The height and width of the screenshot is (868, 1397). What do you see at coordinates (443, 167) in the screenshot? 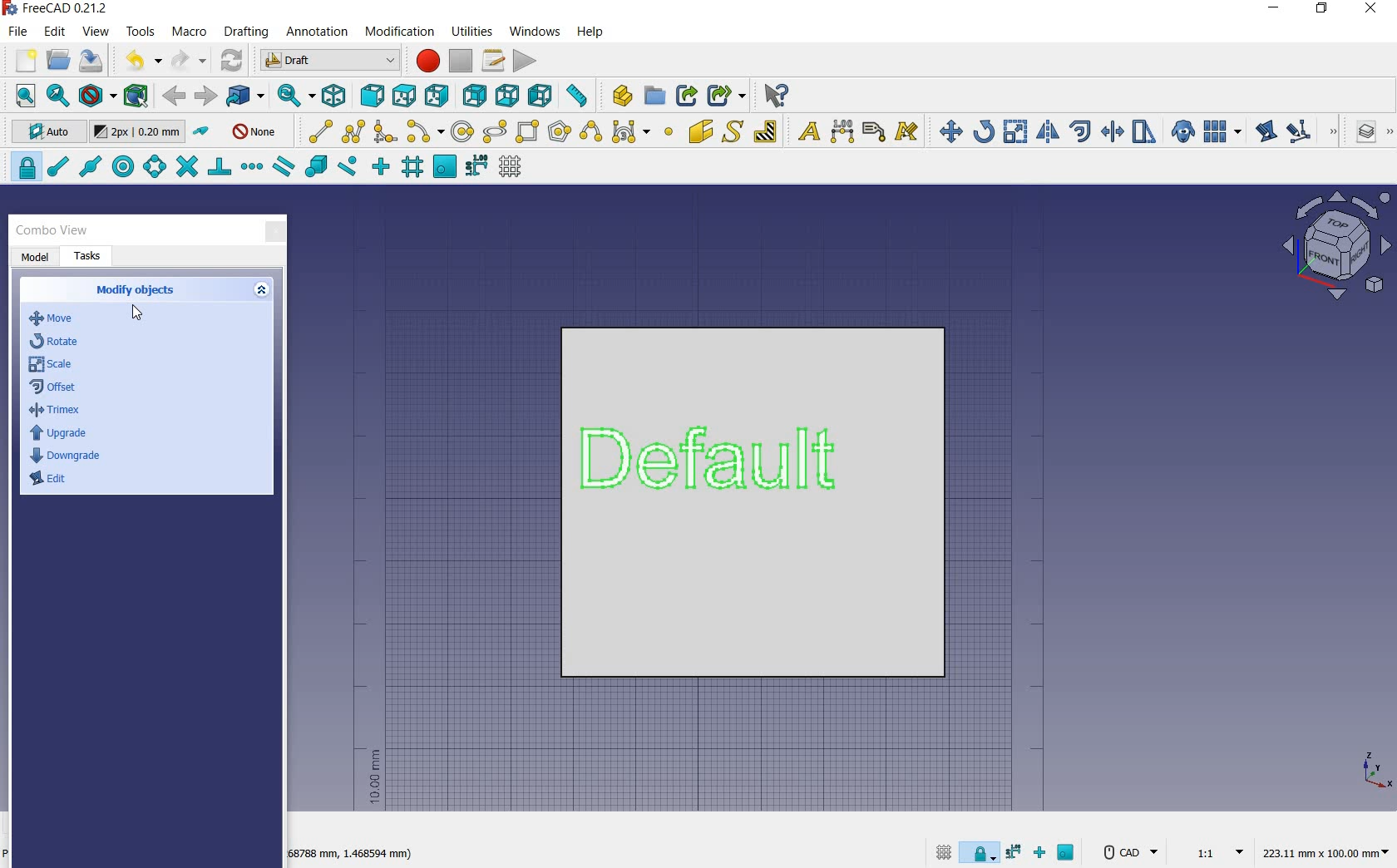
I see `snap working plane` at bounding box center [443, 167].